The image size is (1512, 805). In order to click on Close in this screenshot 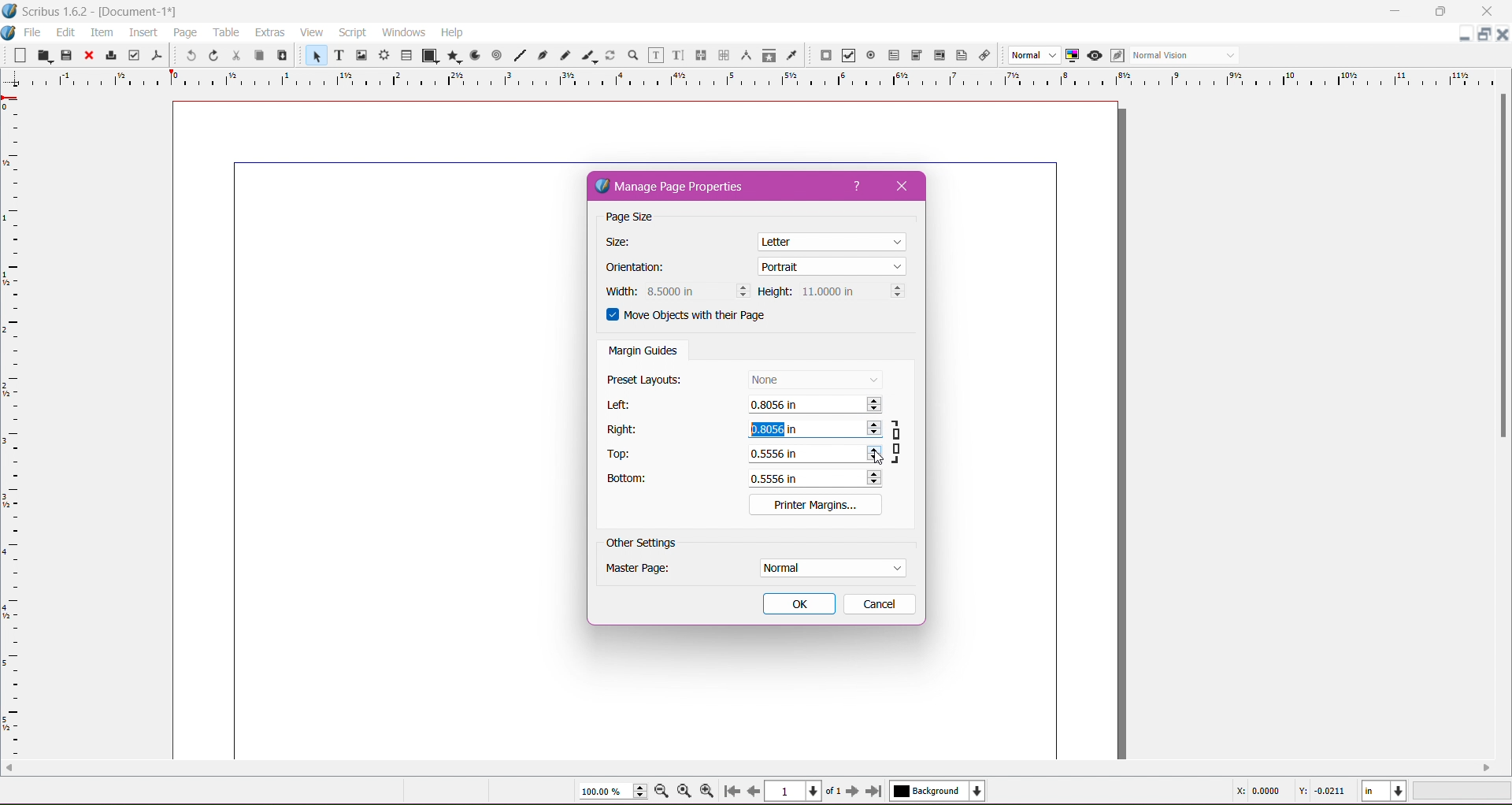, I will do `click(1481, 12)`.